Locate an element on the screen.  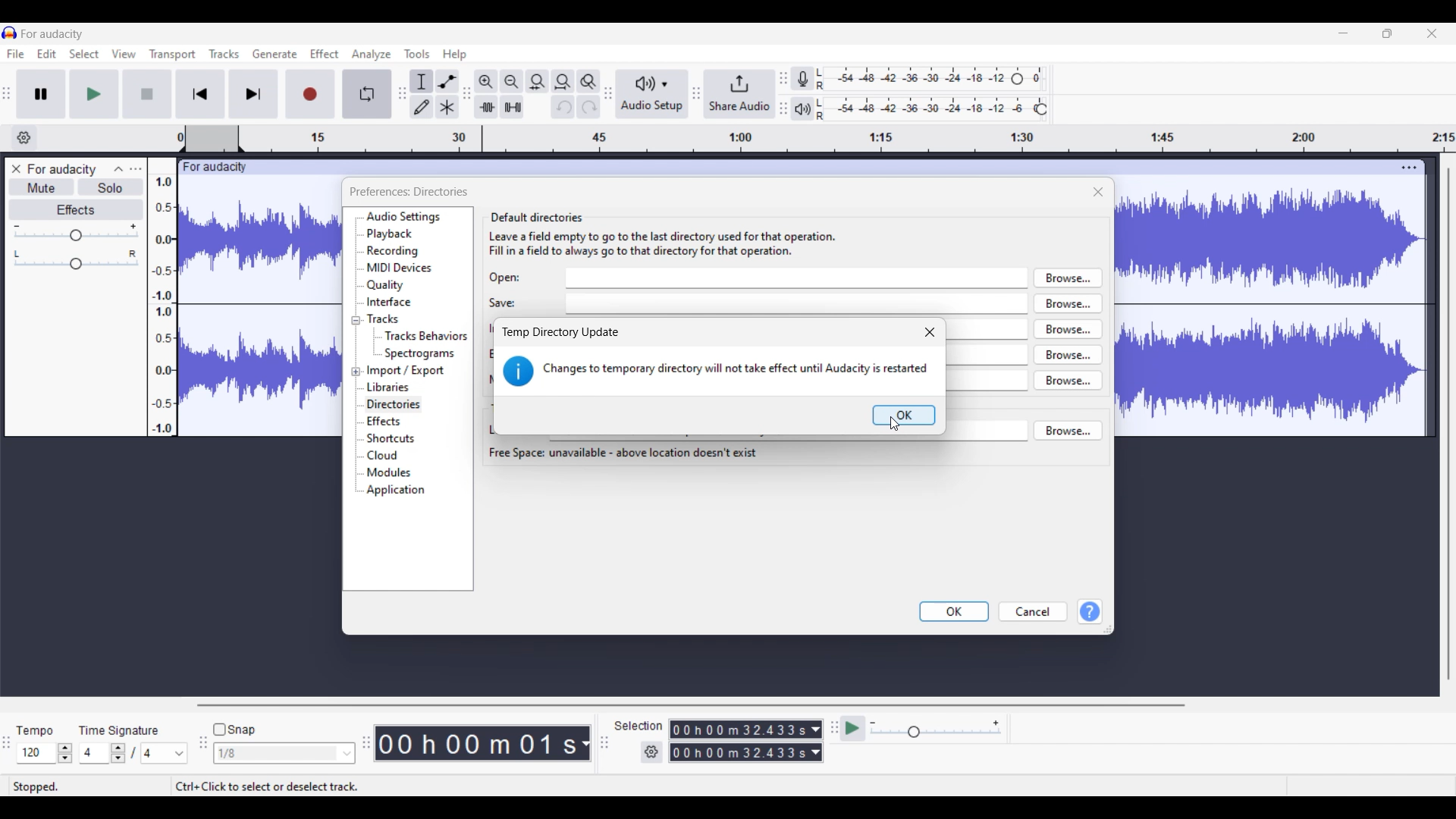
Tools menu is located at coordinates (417, 54).